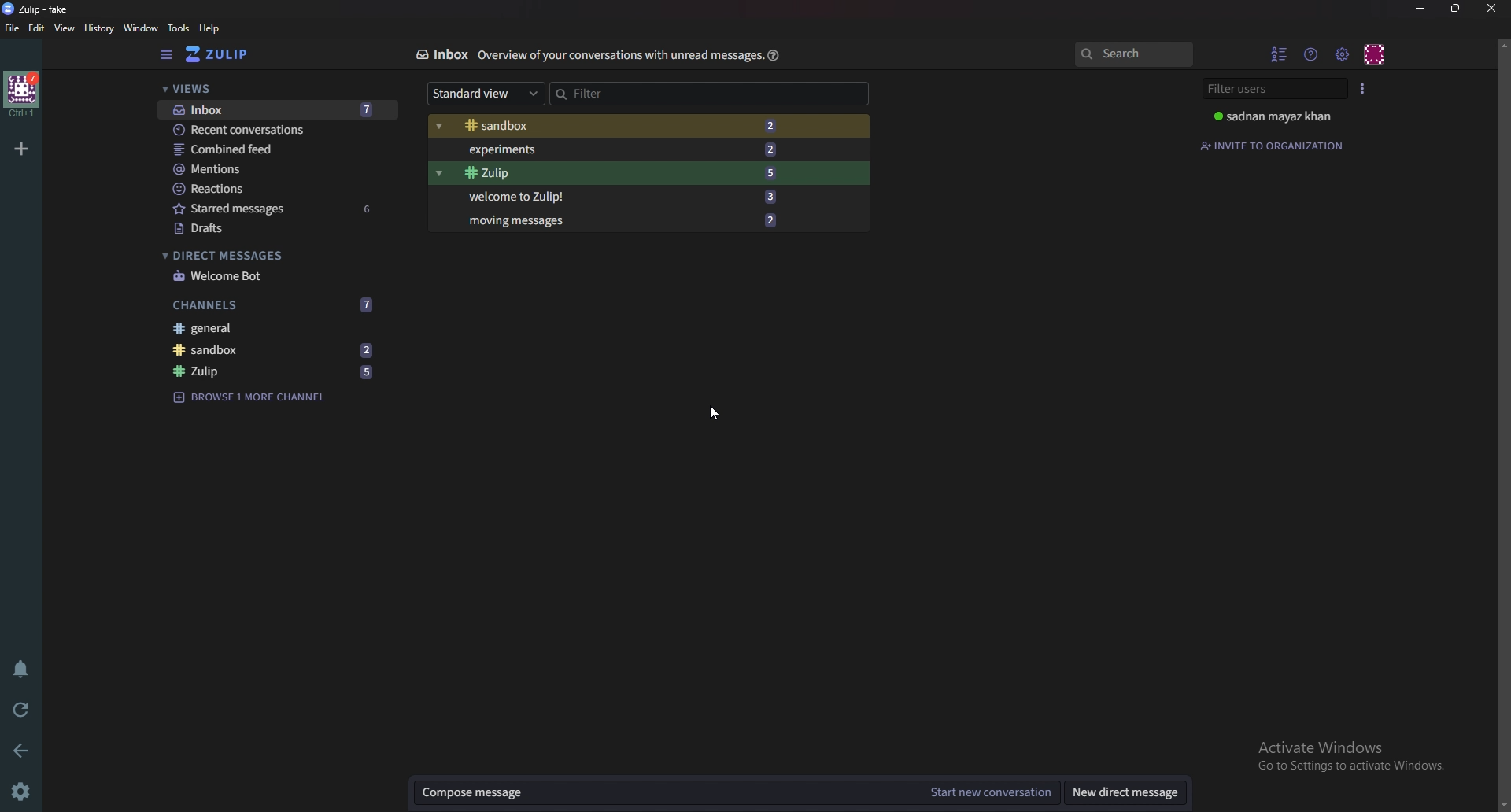 This screenshot has width=1511, height=812. Describe the element at coordinates (139, 28) in the screenshot. I see `Window` at that location.